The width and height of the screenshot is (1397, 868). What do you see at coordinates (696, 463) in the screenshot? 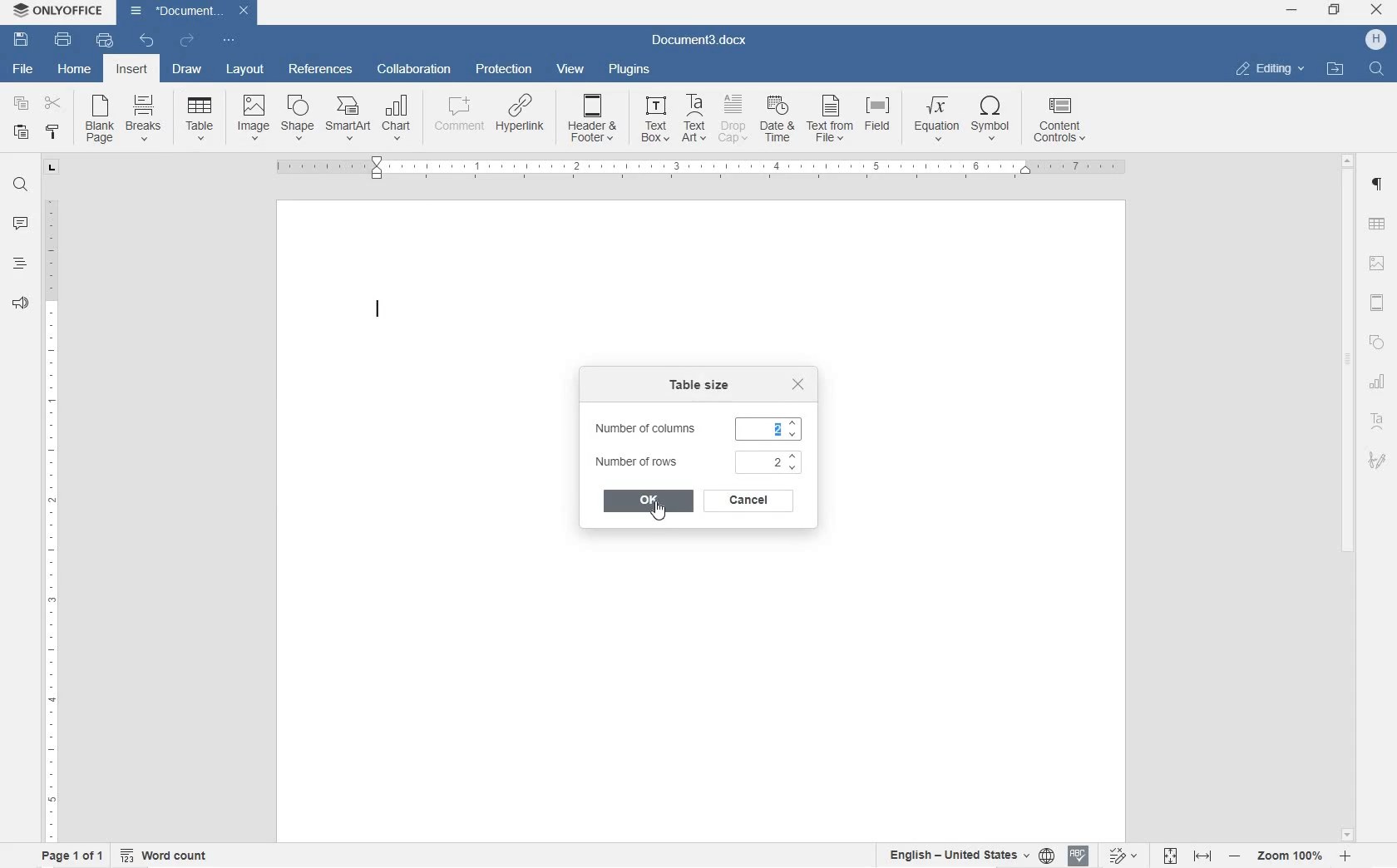
I see `number of rows` at bounding box center [696, 463].